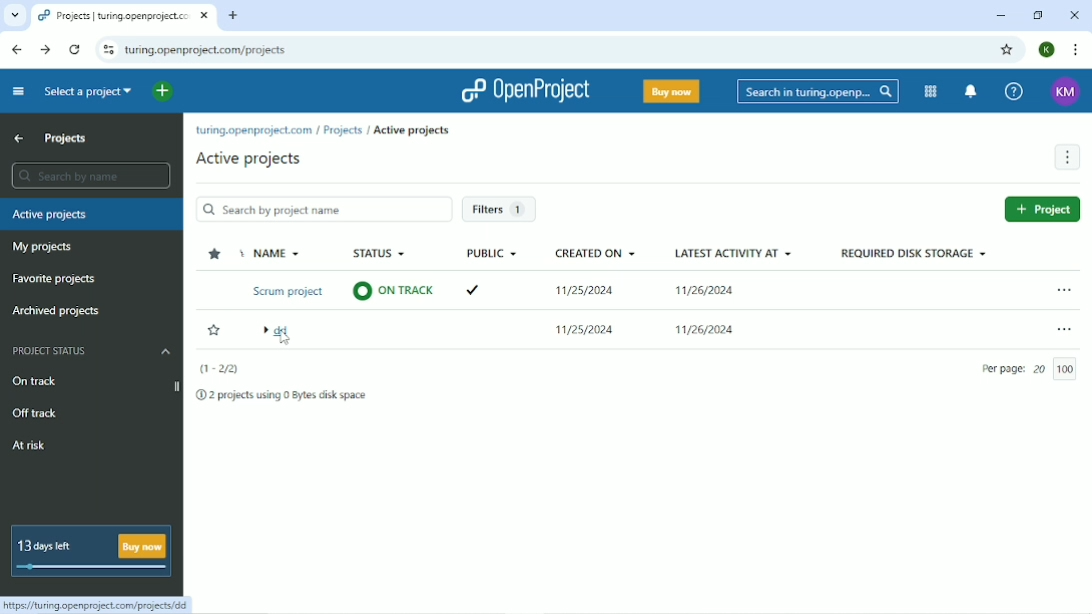  I want to click on Search by name, so click(323, 209).